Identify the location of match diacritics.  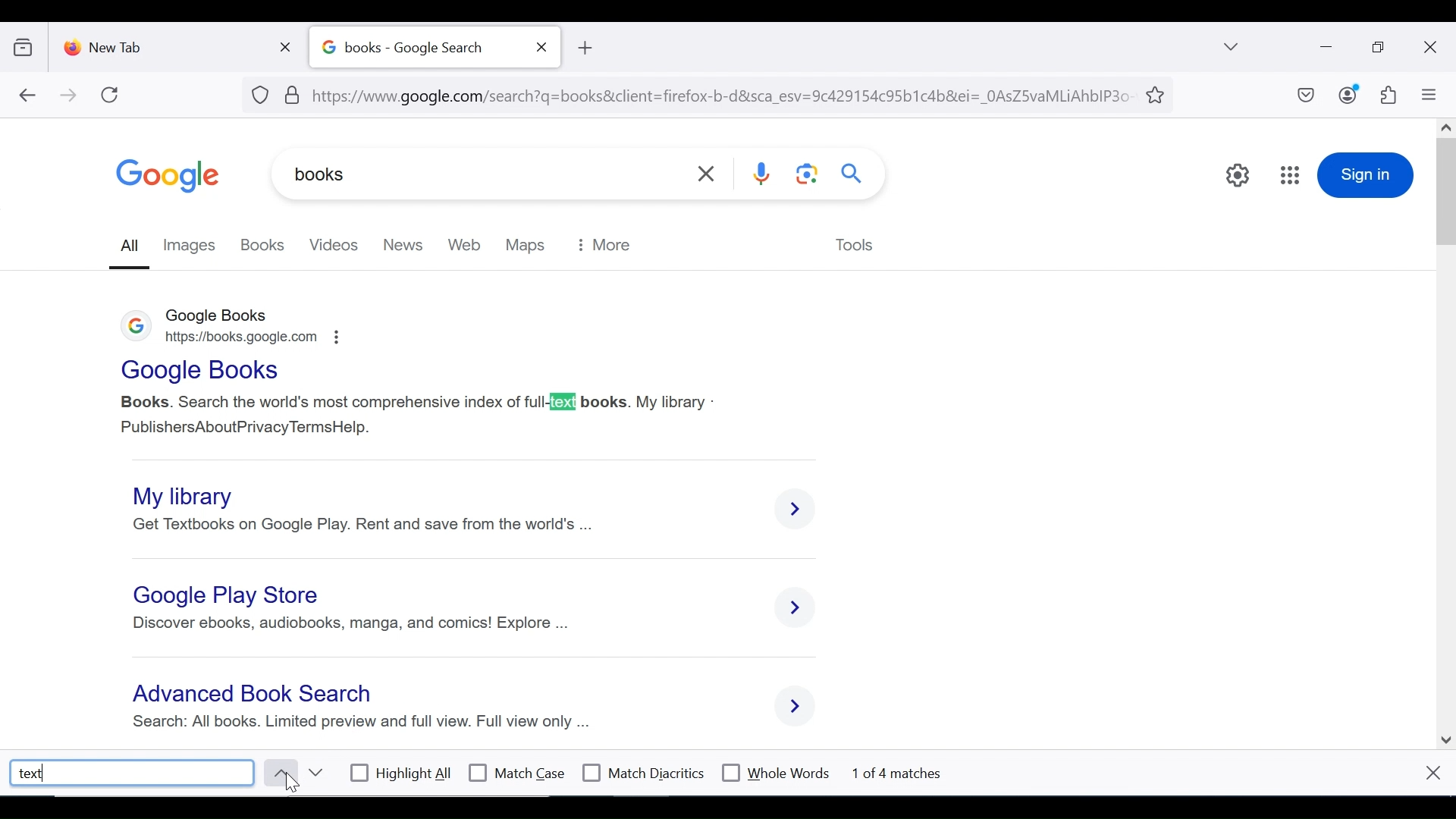
(644, 773).